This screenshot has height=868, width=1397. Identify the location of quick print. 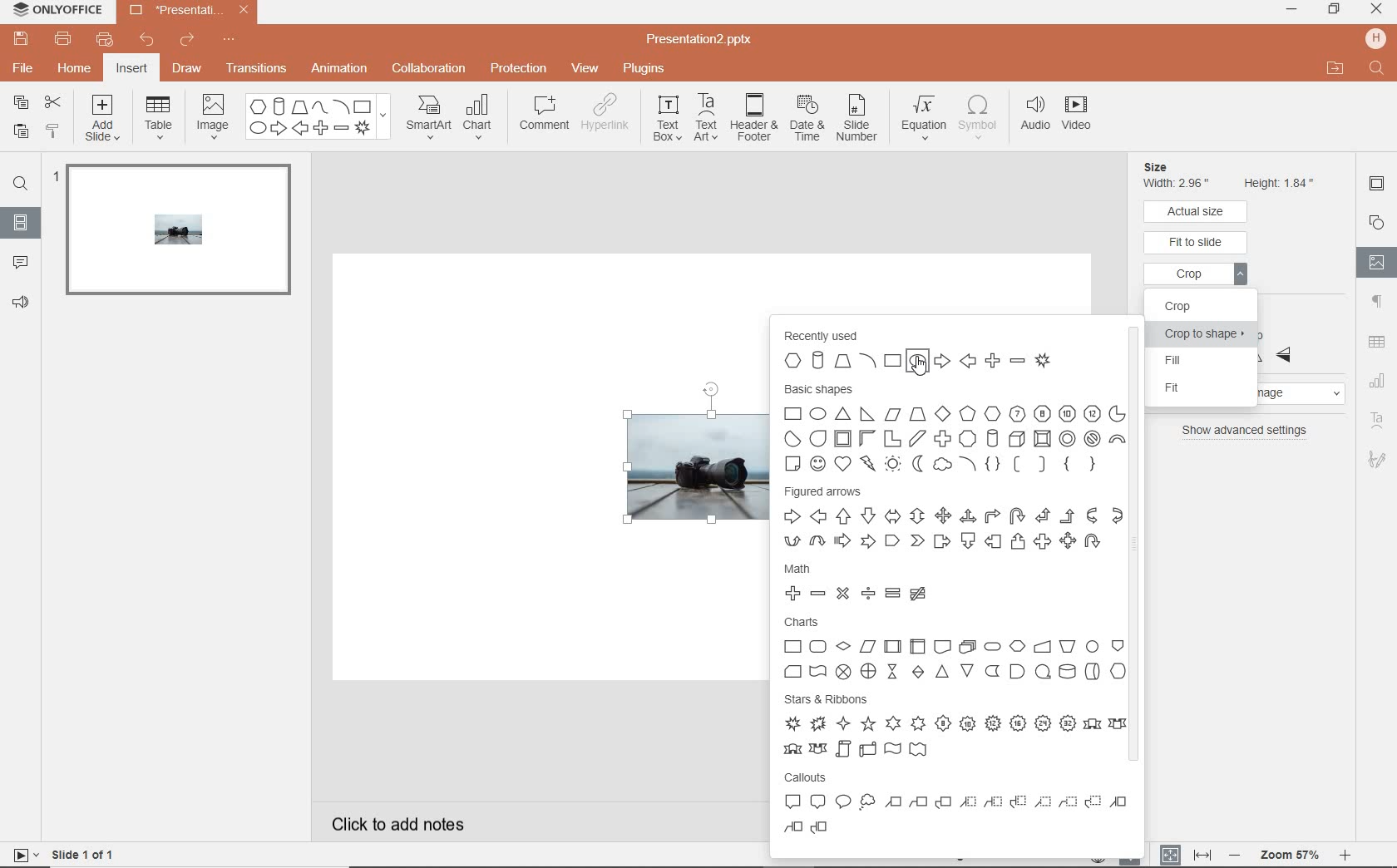
(106, 38).